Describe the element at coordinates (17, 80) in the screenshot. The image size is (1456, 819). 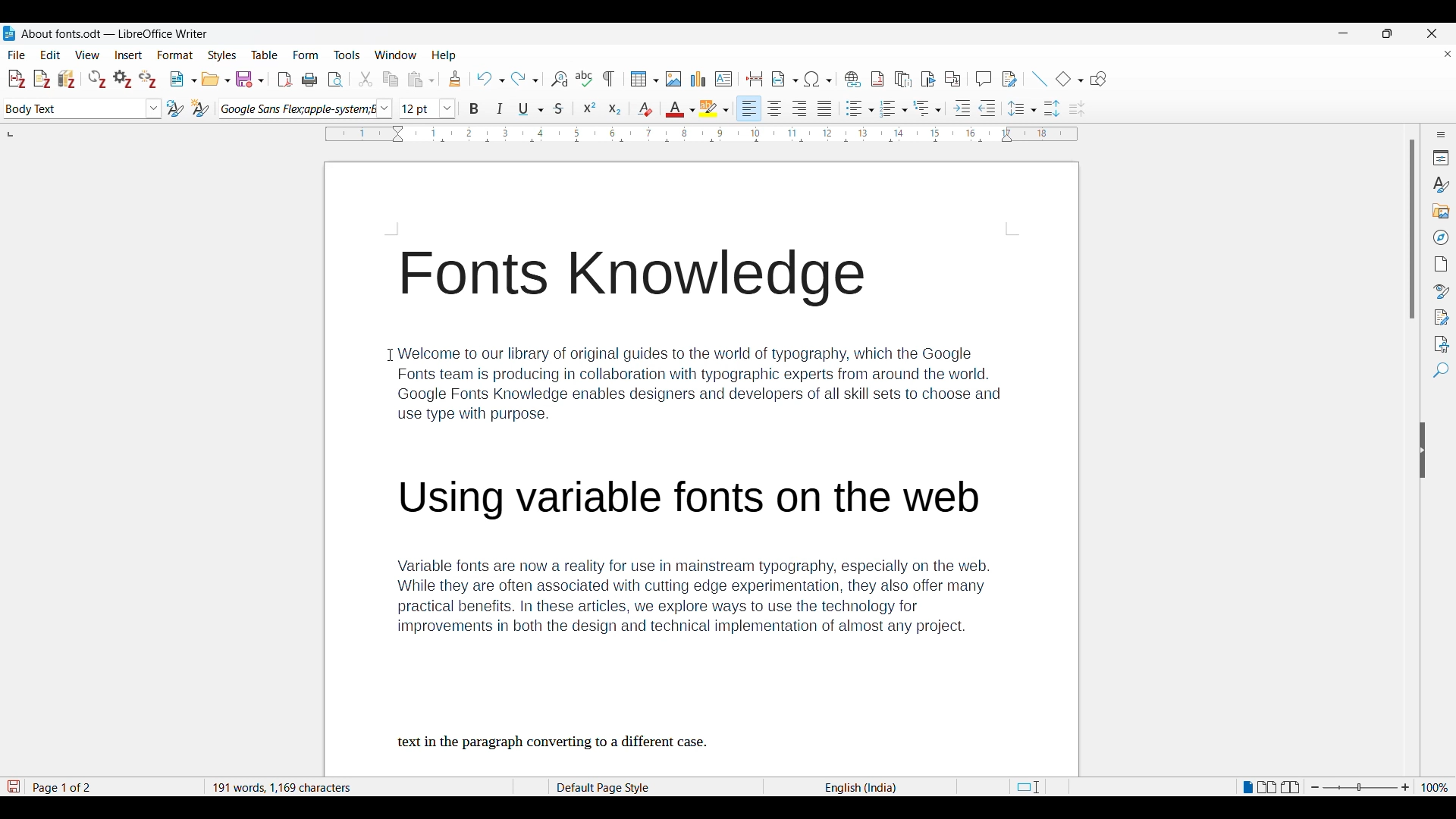
I see `Add\Edit citation` at that location.